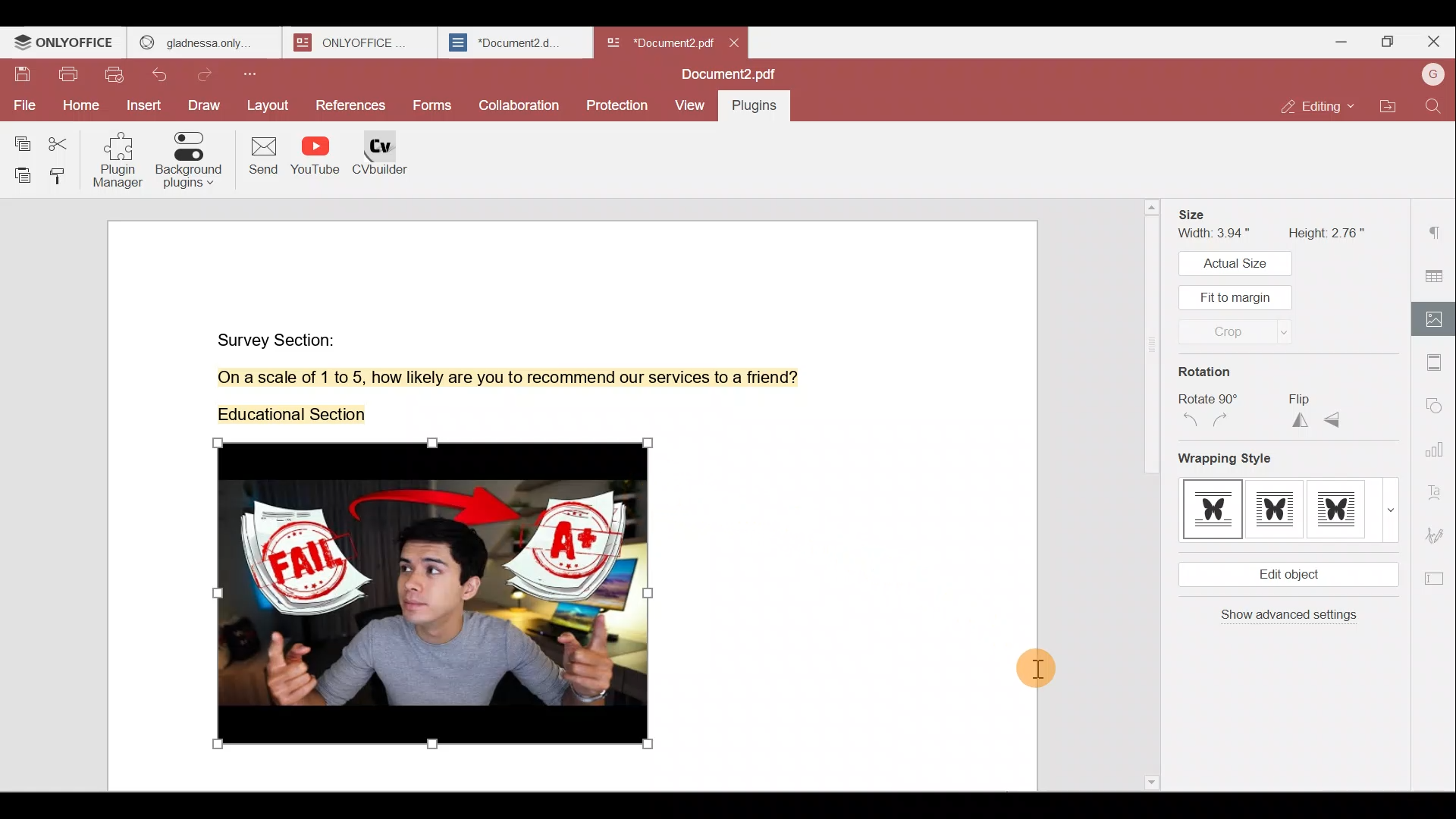 This screenshot has height=819, width=1456. What do you see at coordinates (1278, 510) in the screenshot?
I see `Style 2` at bounding box center [1278, 510].